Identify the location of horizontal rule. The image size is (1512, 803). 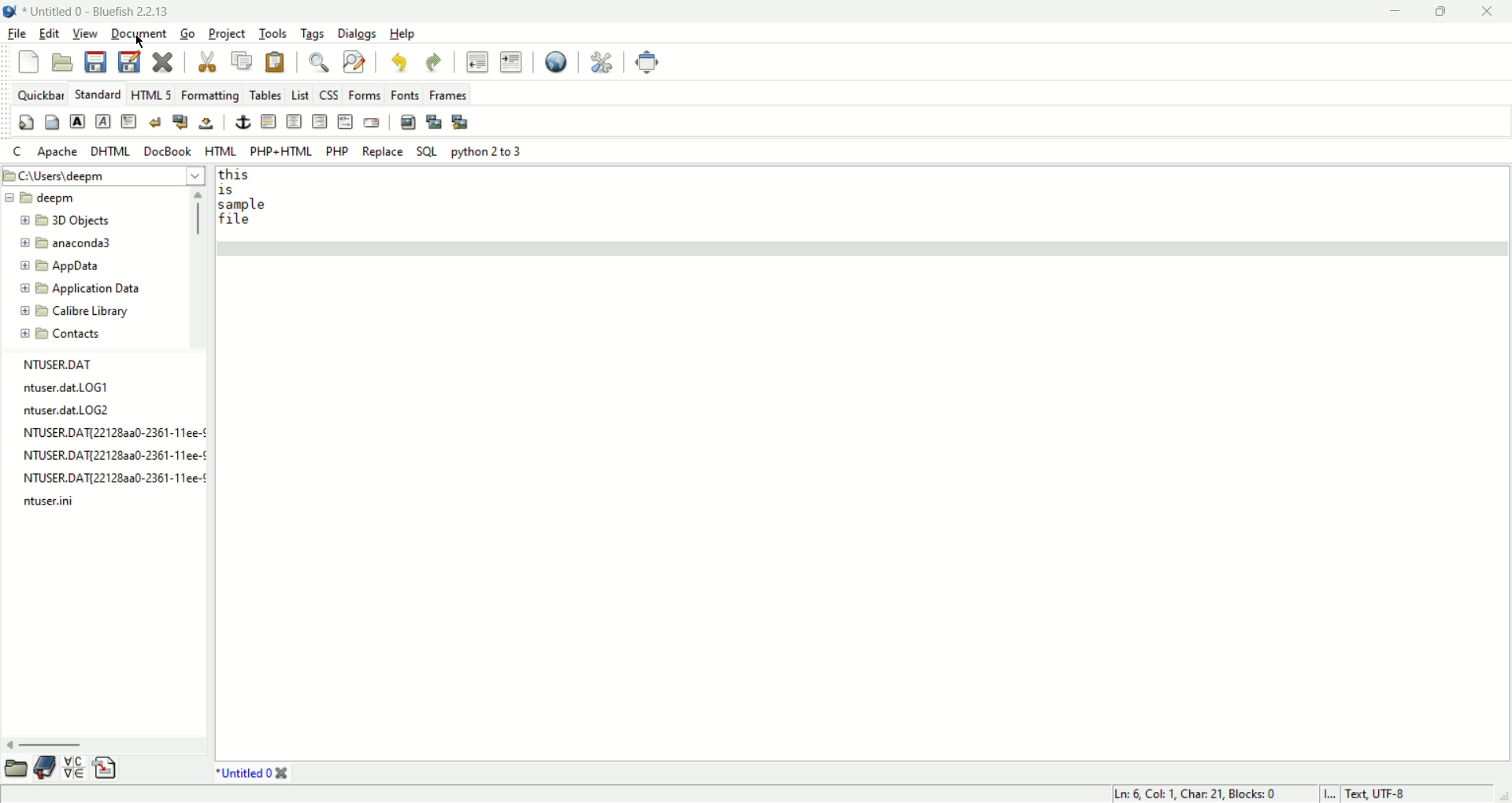
(269, 122).